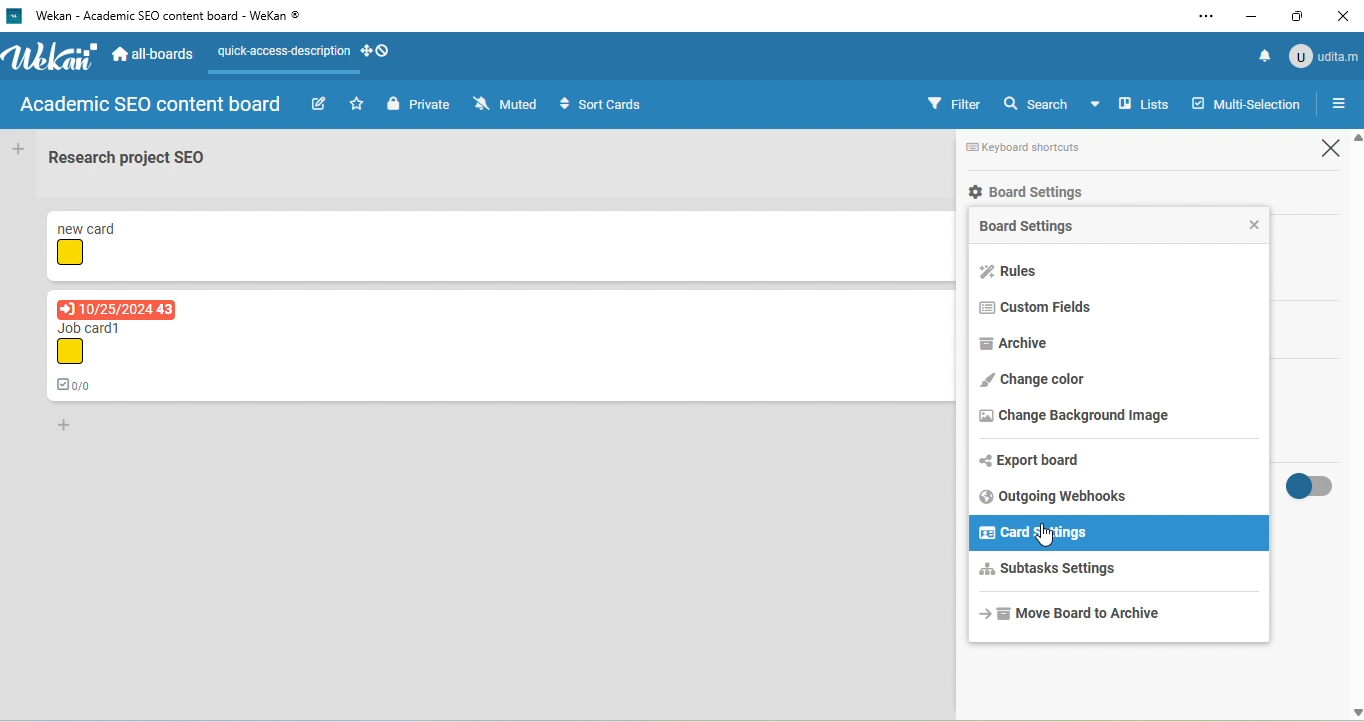 This screenshot has height=722, width=1364. I want to click on move board to archive, so click(1097, 617).